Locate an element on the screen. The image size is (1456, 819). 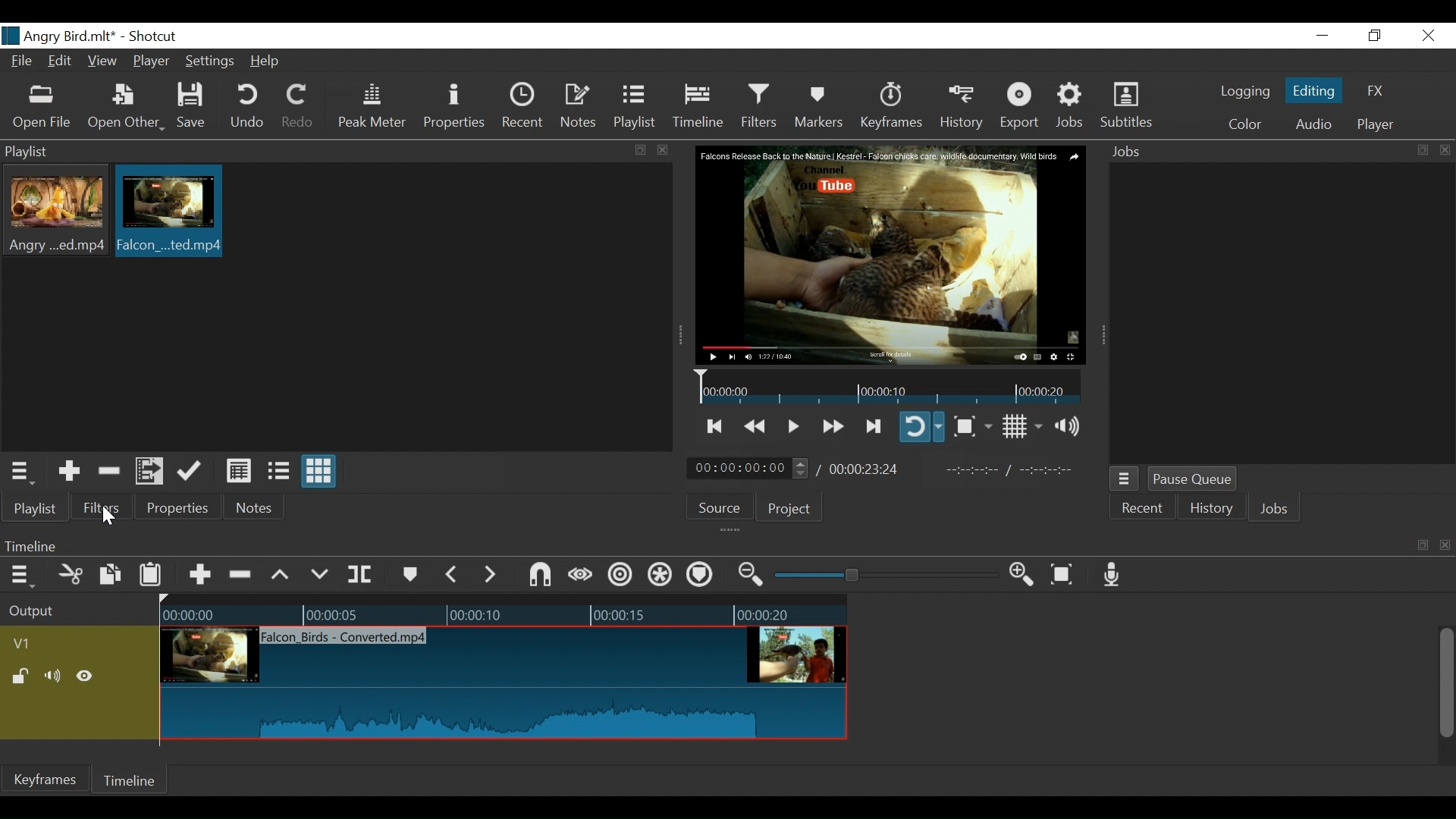
Filters is located at coordinates (99, 507).